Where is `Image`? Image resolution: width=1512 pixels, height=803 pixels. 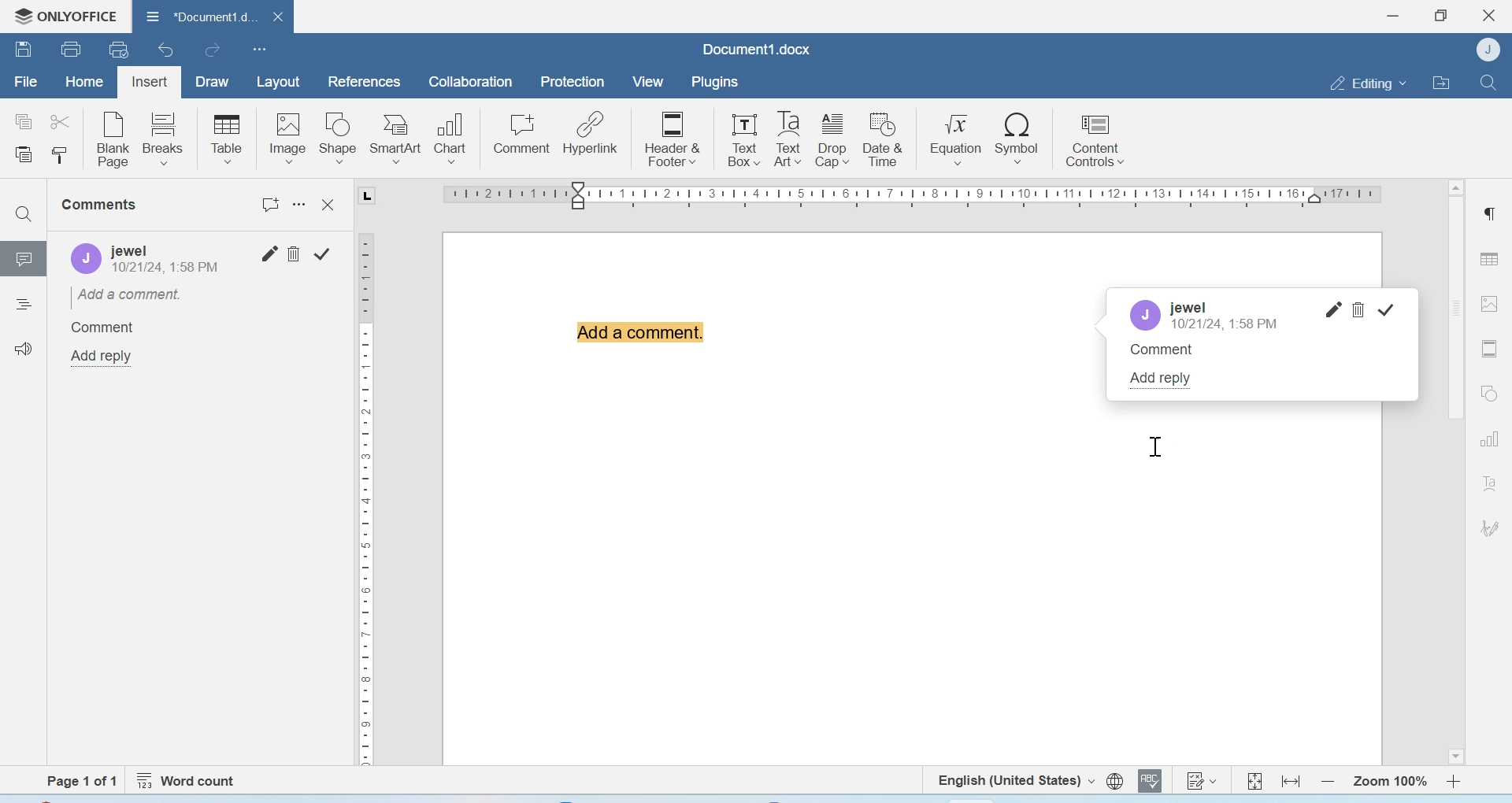
Image is located at coordinates (1490, 302).